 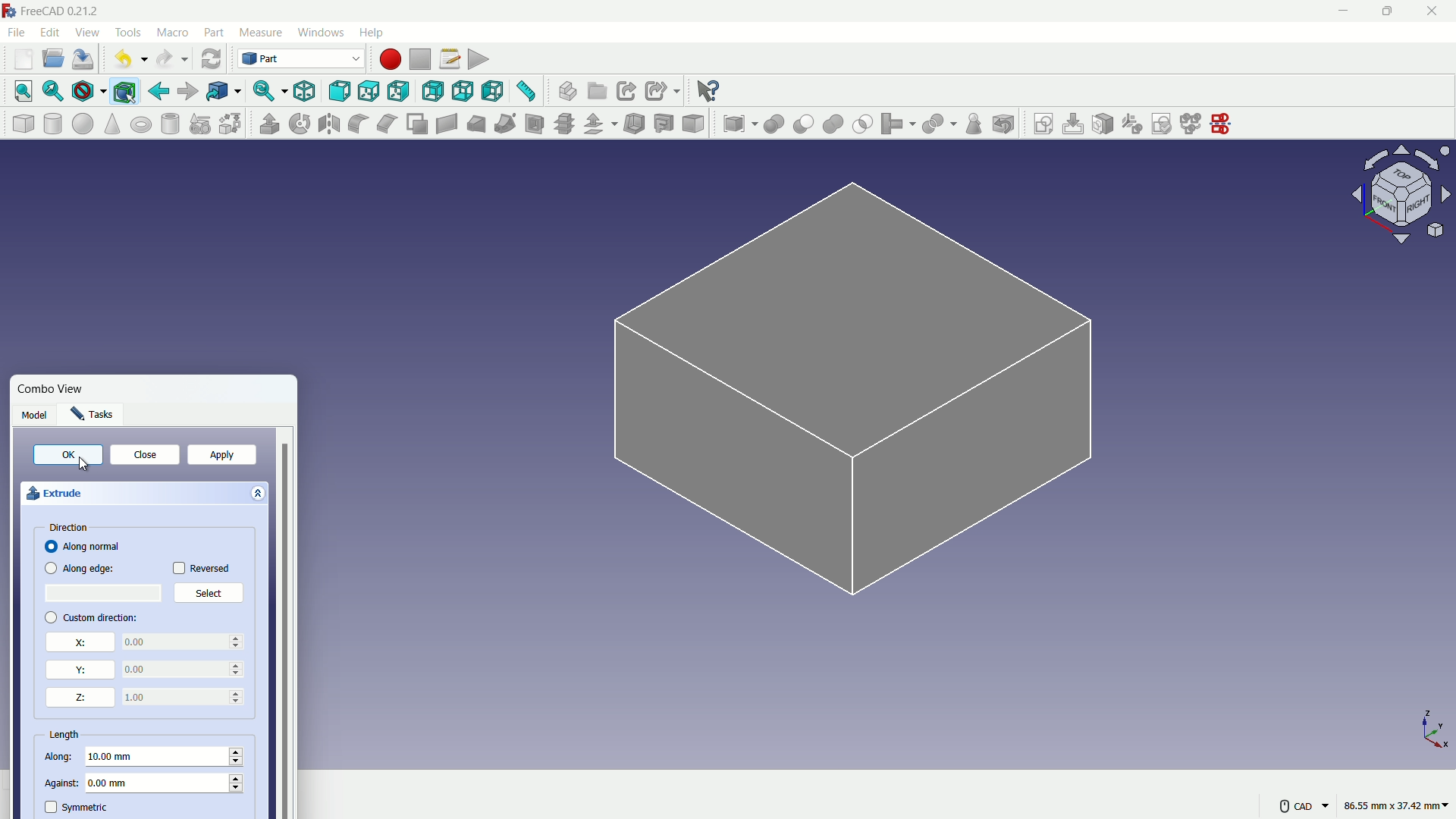 I want to click on macro settings, so click(x=450, y=59).